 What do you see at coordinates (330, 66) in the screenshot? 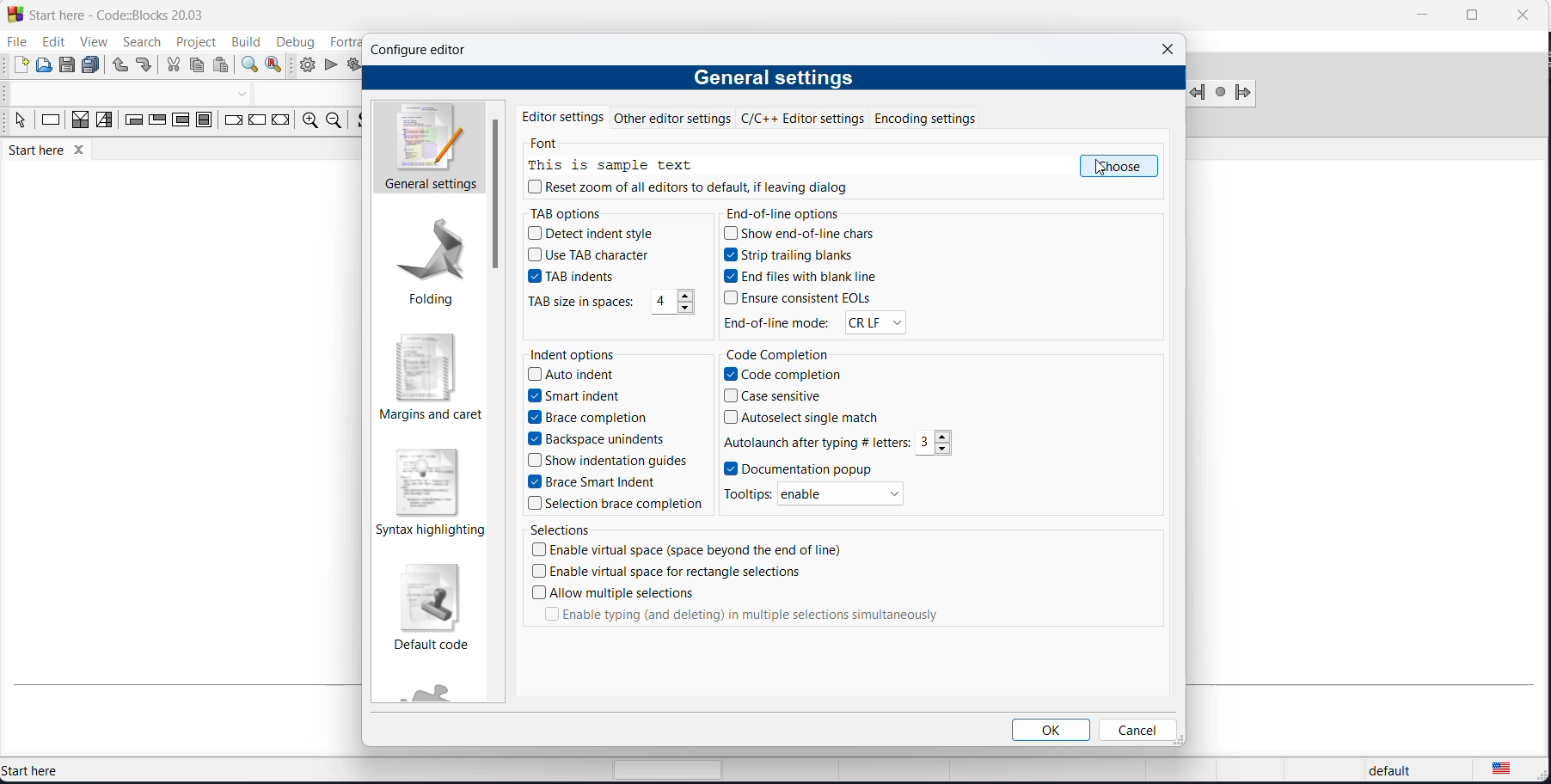
I see `run` at bounding box center [330, 66].